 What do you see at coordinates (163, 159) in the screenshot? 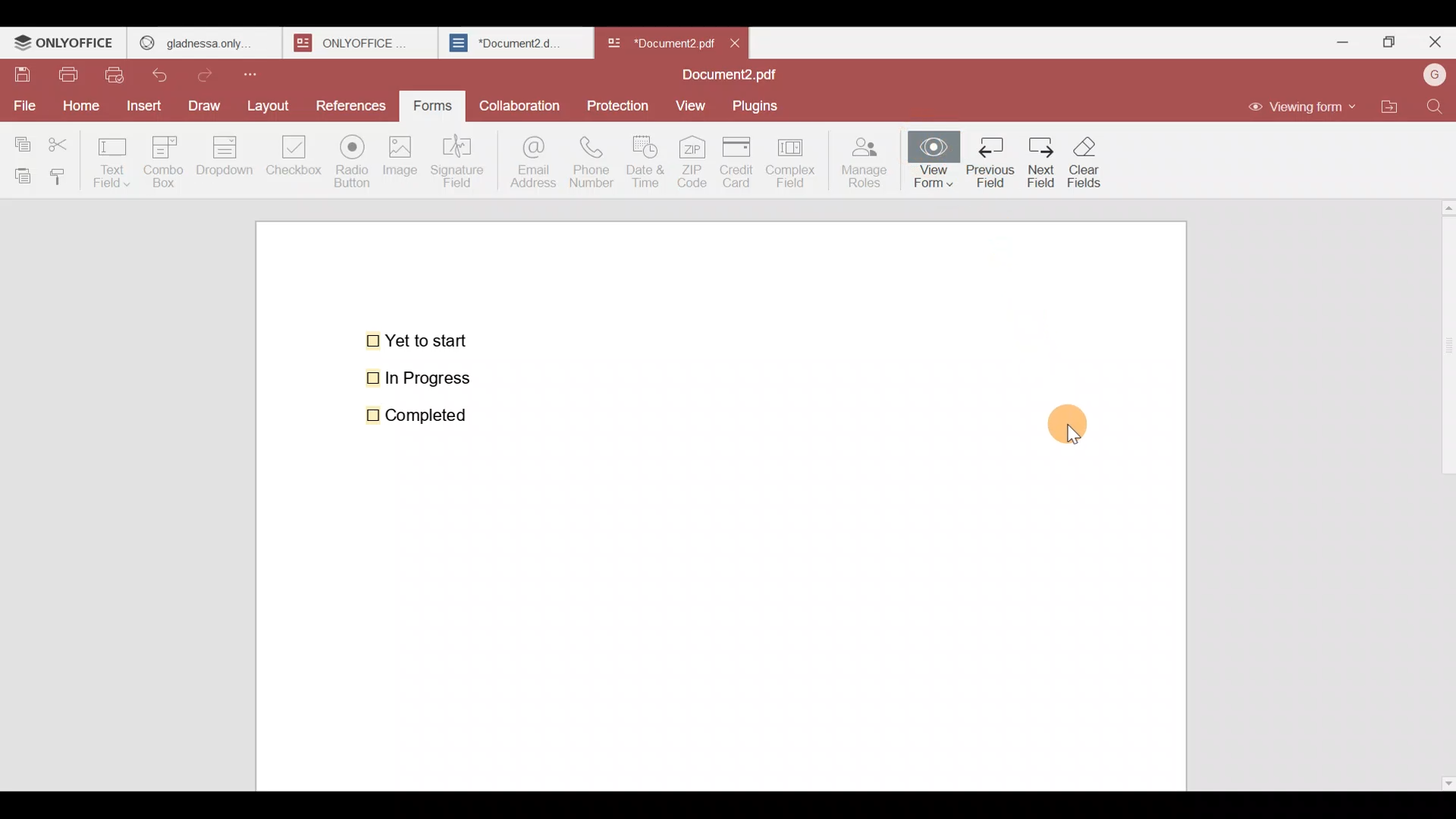
I see `Combo box` at bounding box center [163, 159].